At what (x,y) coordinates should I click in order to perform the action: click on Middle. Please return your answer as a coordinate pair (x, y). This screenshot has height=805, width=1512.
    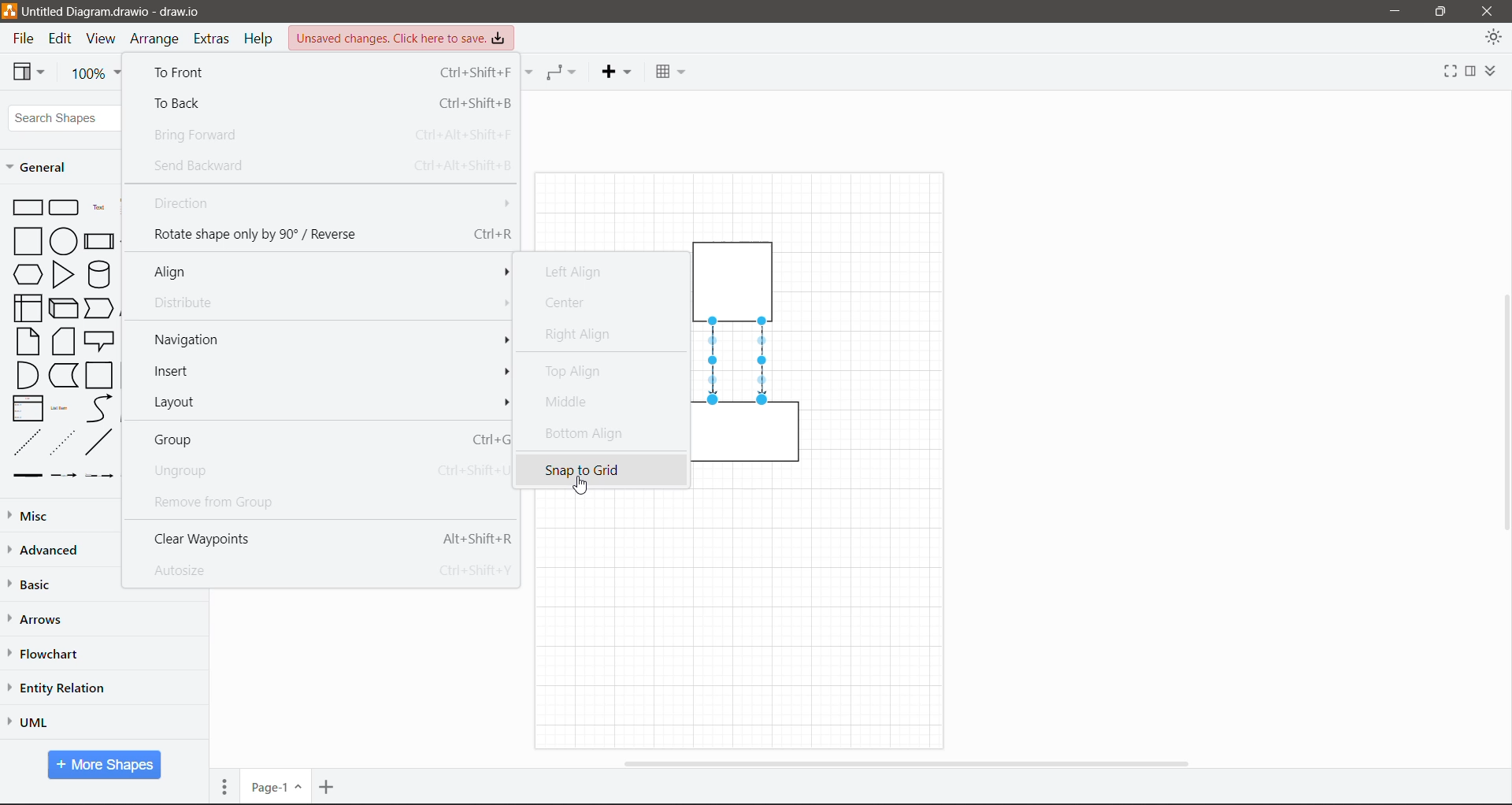
    Looking at the image, I should click on (568, 405).